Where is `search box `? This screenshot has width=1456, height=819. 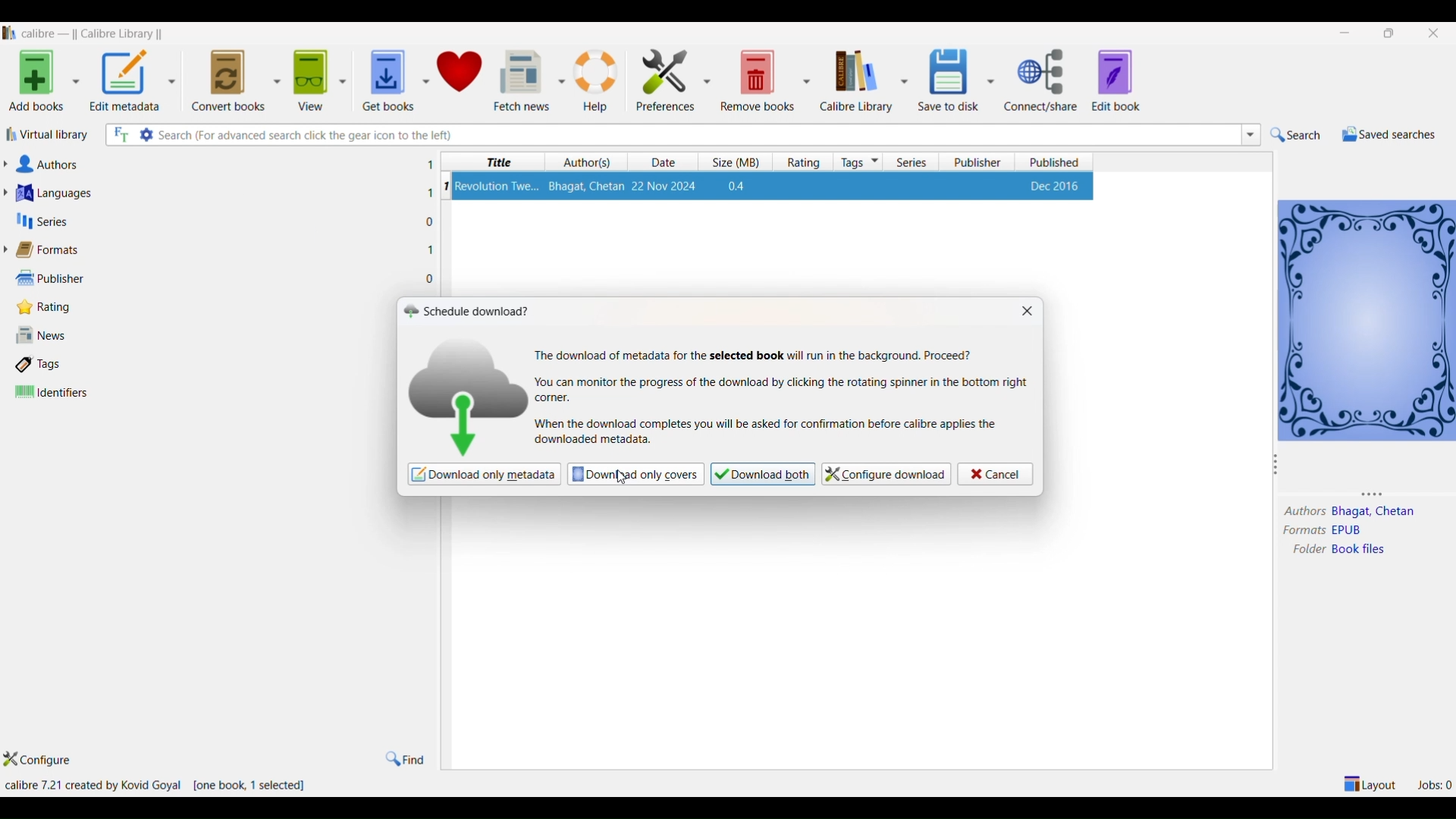 search box  is located at coordinates (697, 134).